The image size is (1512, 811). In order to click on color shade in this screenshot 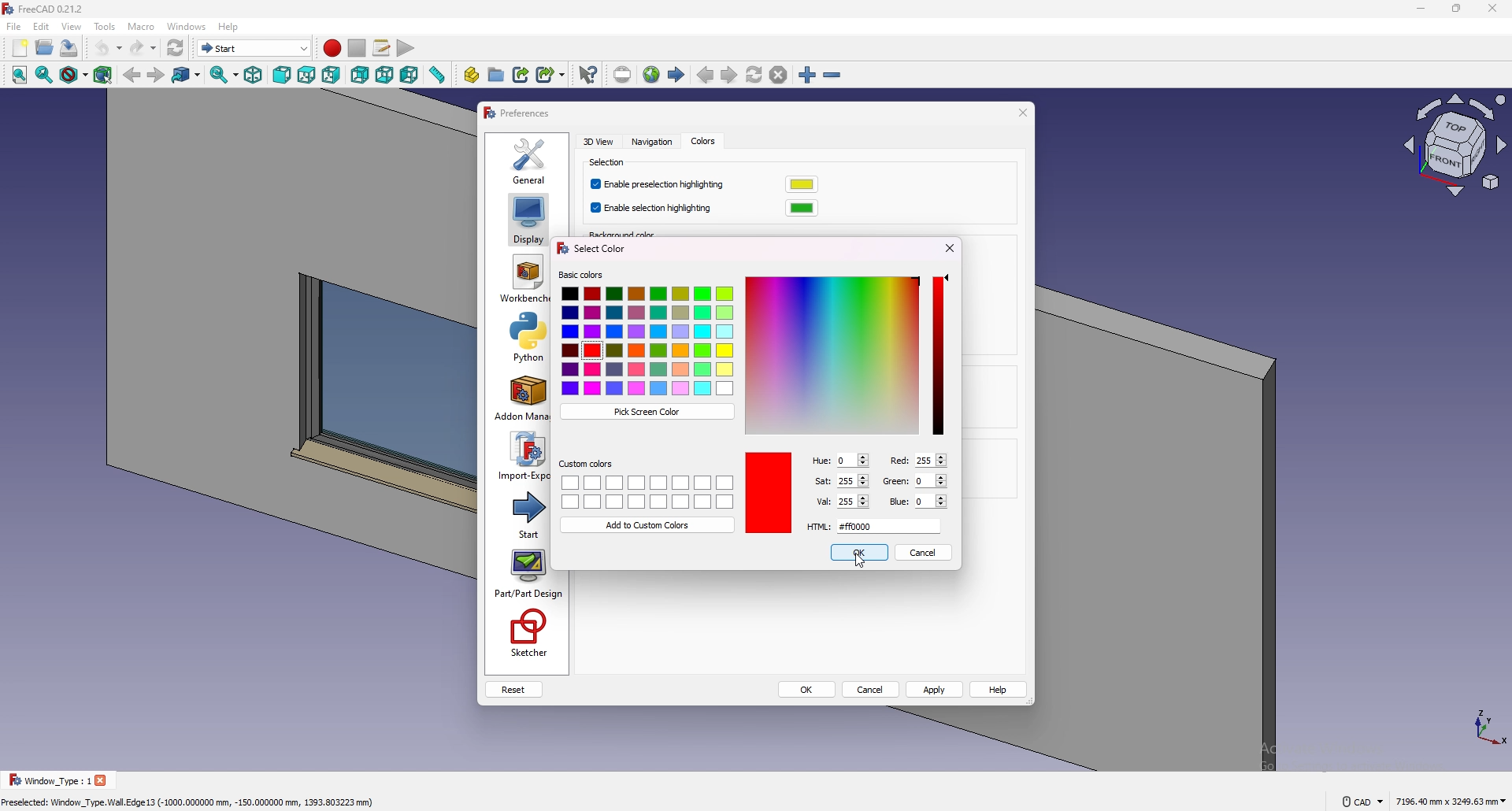, I will do `click(769, 493)`.